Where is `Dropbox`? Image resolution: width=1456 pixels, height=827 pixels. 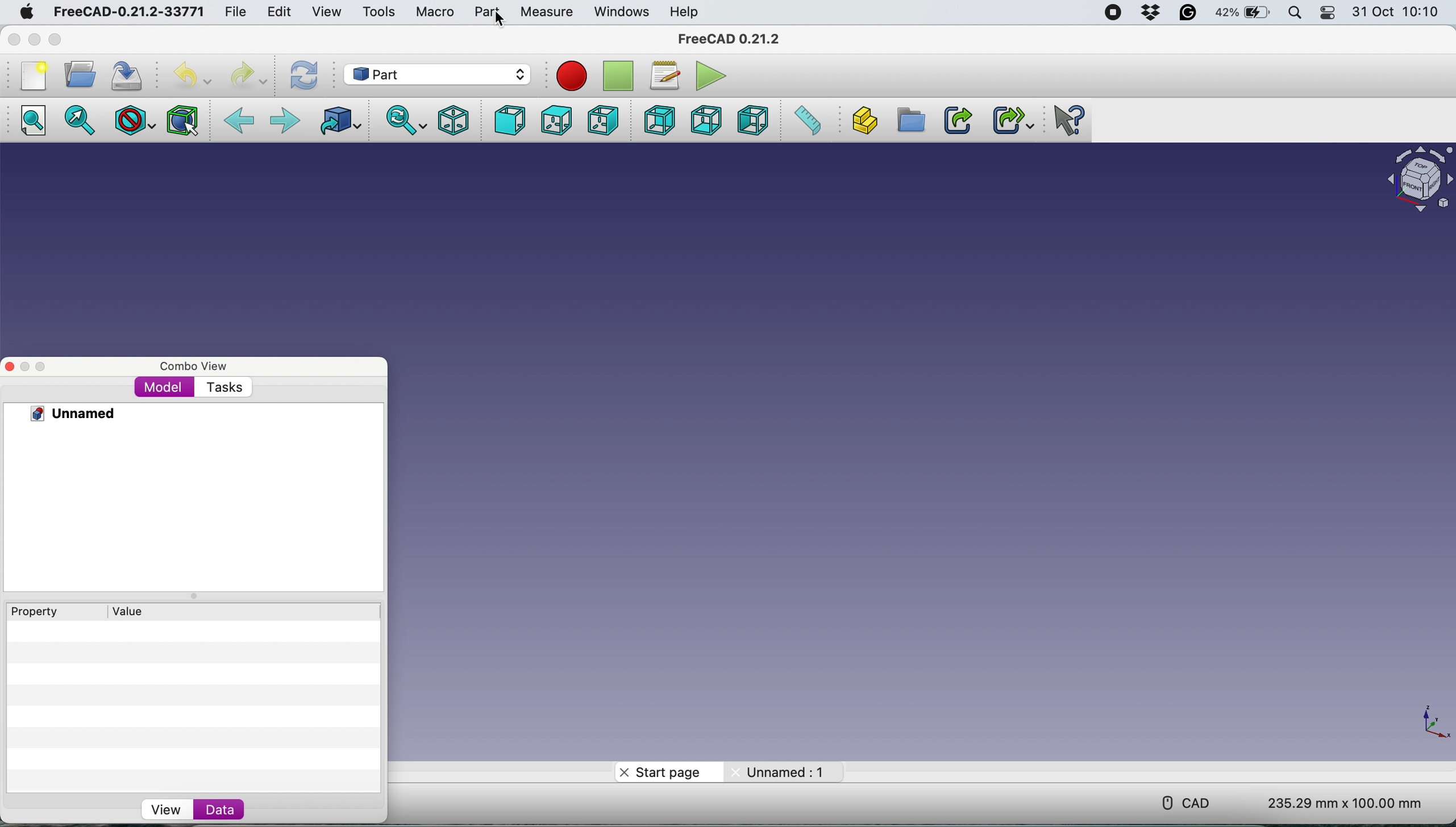
Dropbox is located at coordinates (1153, 13).